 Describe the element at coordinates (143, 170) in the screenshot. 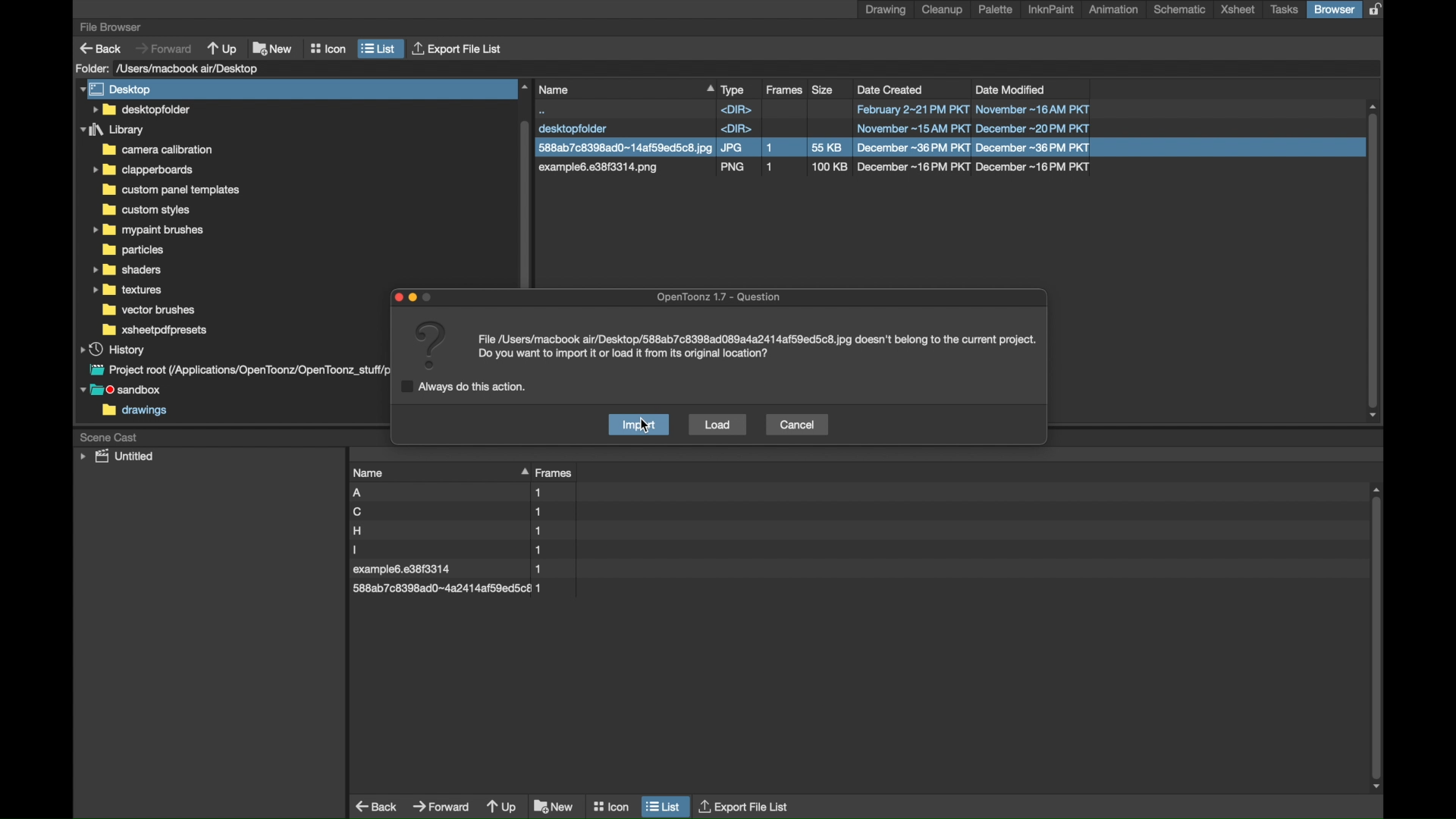

I see `folder` at that location.